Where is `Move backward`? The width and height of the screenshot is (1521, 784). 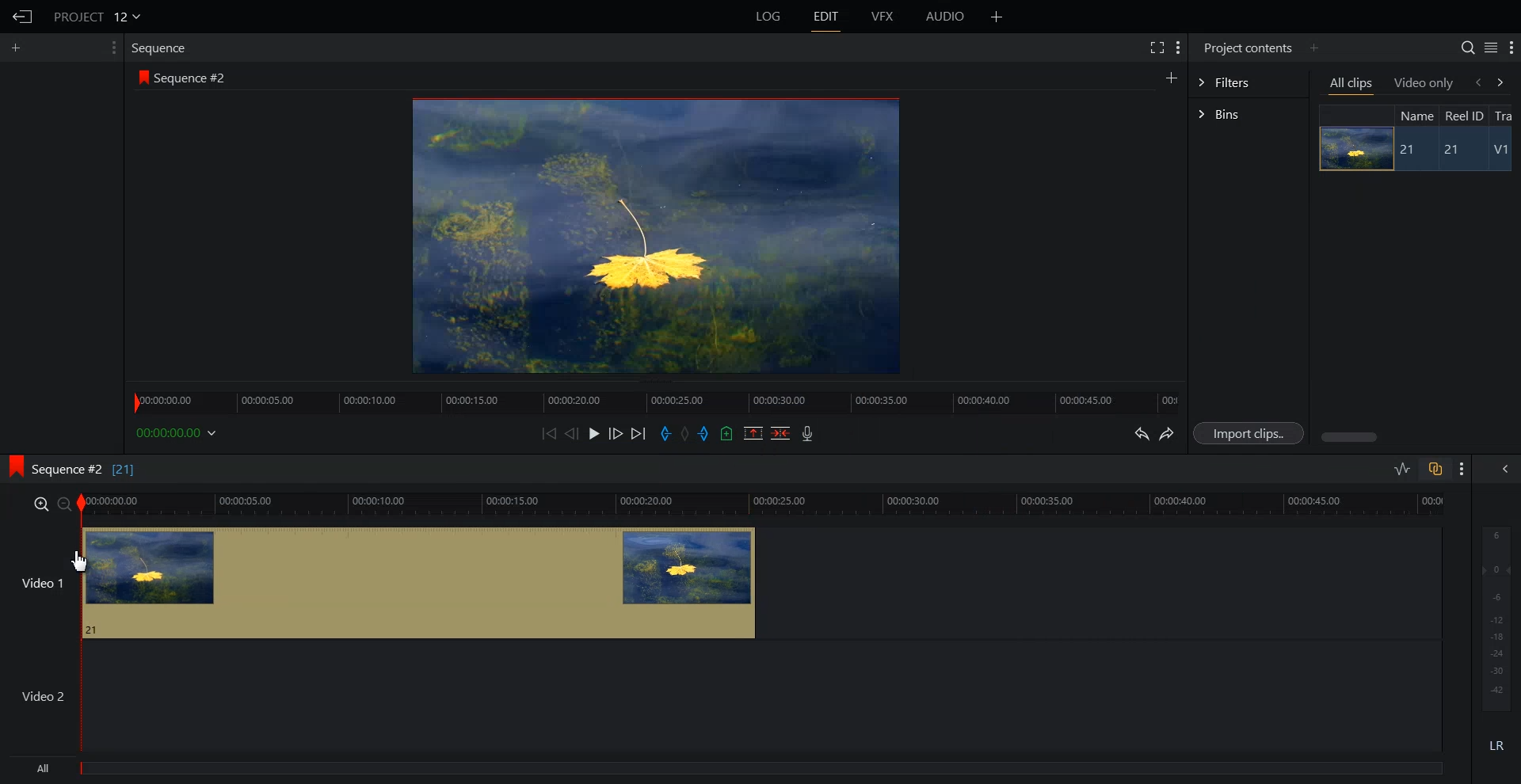
Move backward is located at coordinates (551, 433).